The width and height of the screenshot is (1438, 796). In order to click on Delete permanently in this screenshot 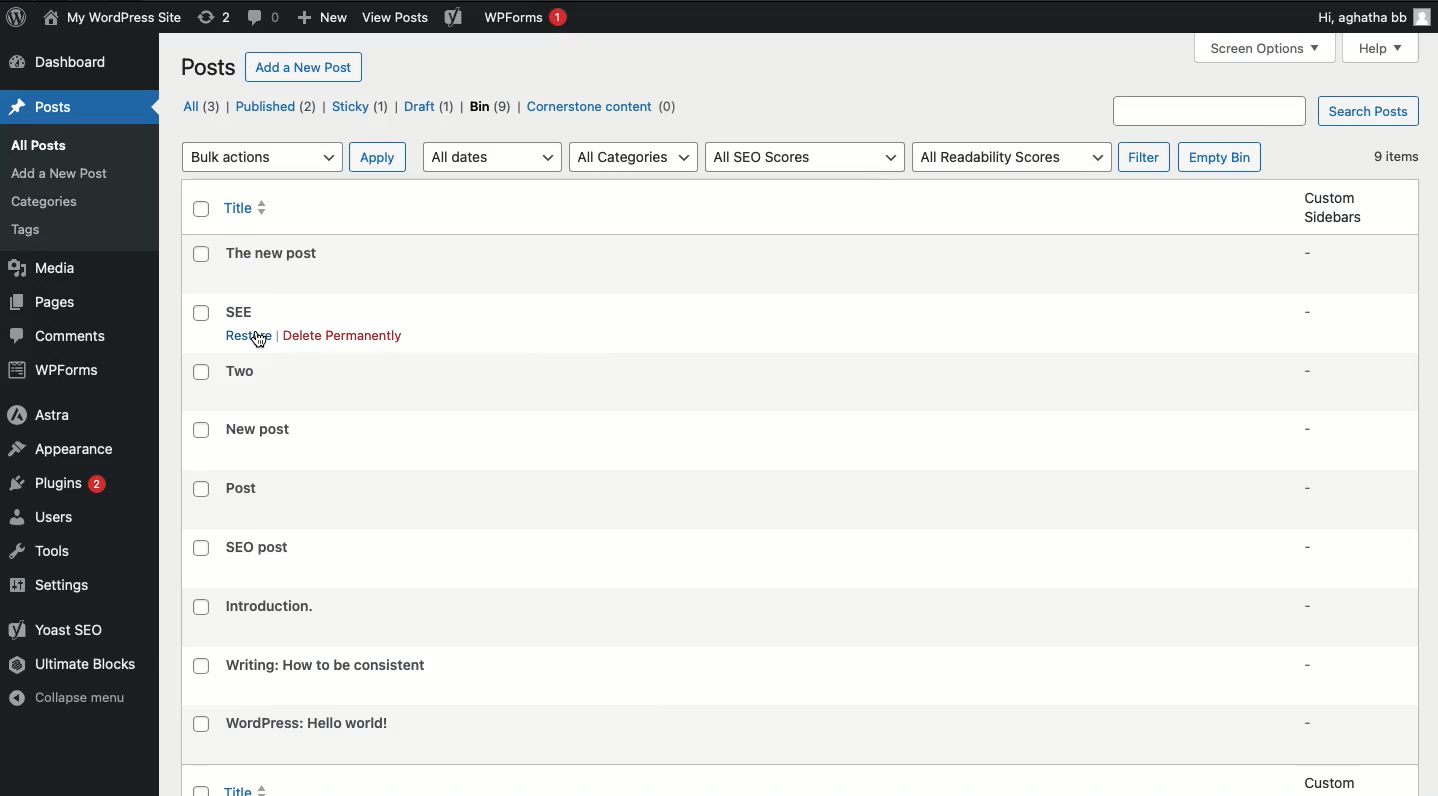, I will do `click(344, 336)`.